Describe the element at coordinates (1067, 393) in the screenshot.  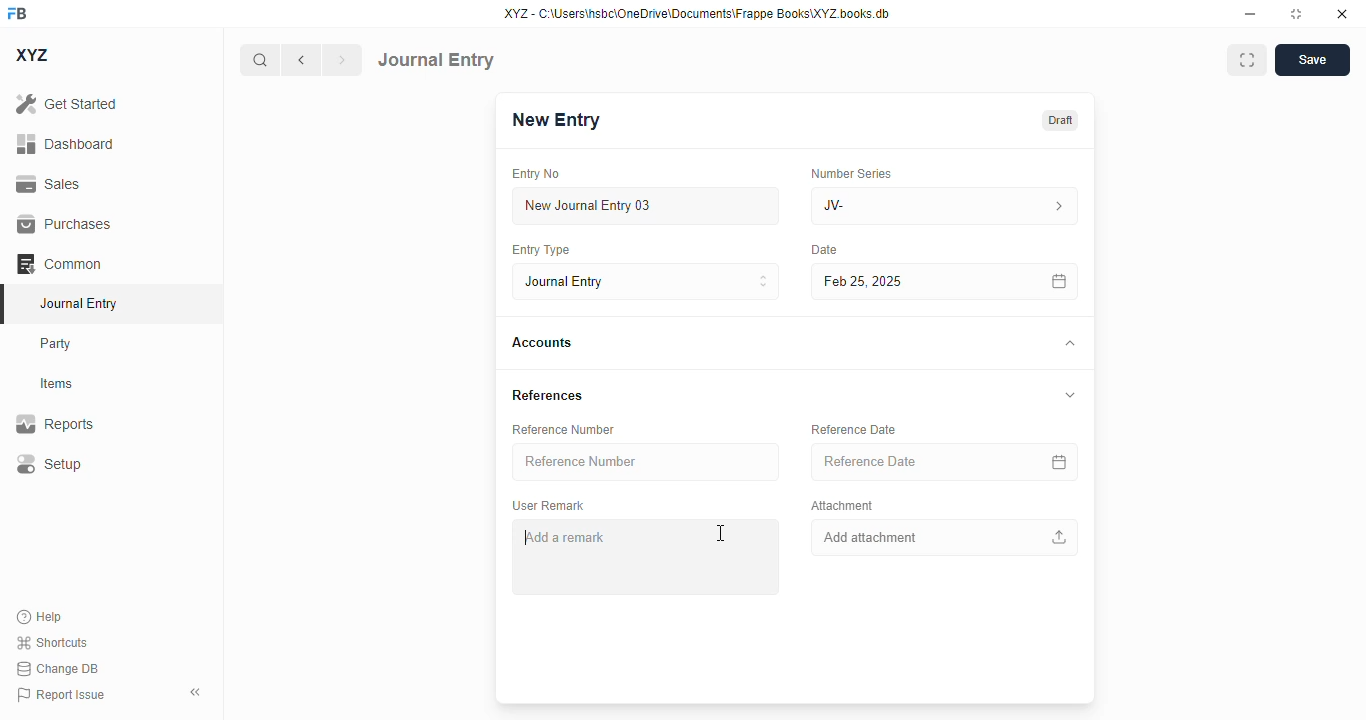
I see `toggle expand/collapse` at that location.